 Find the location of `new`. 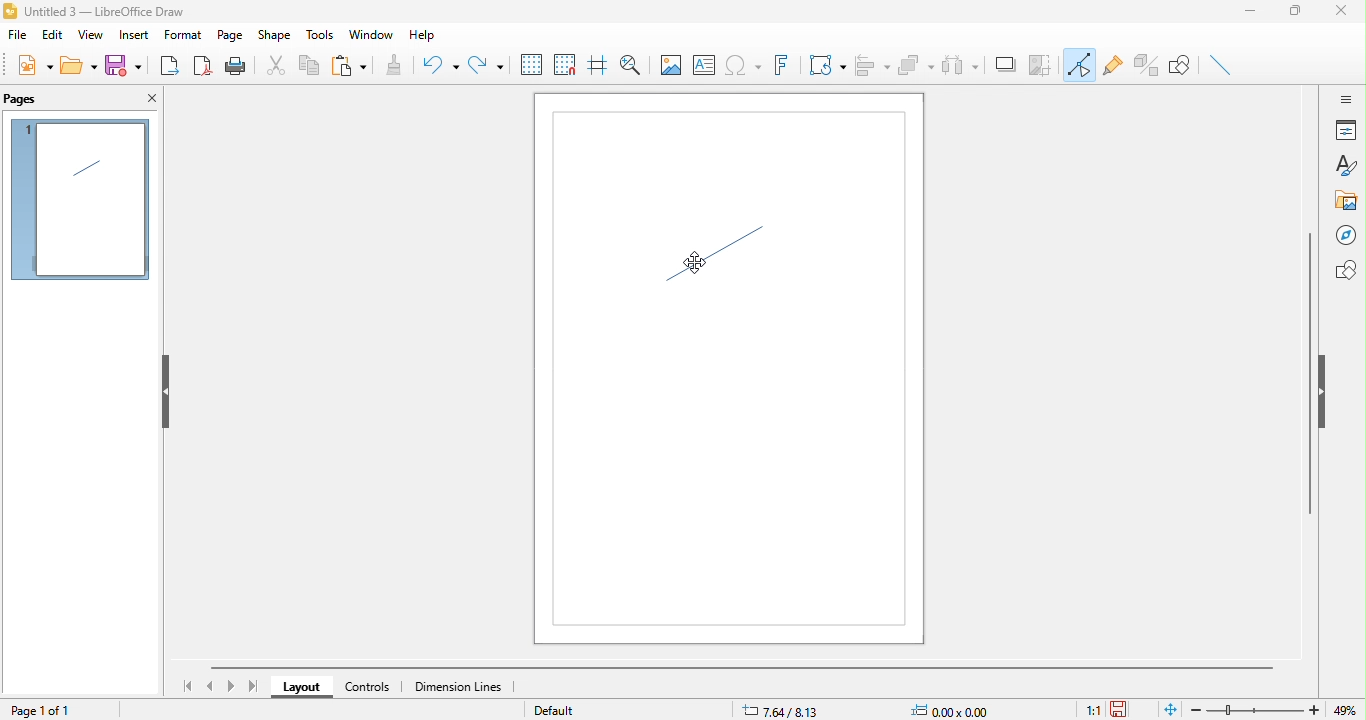

new is located at coordinates (32, 68).